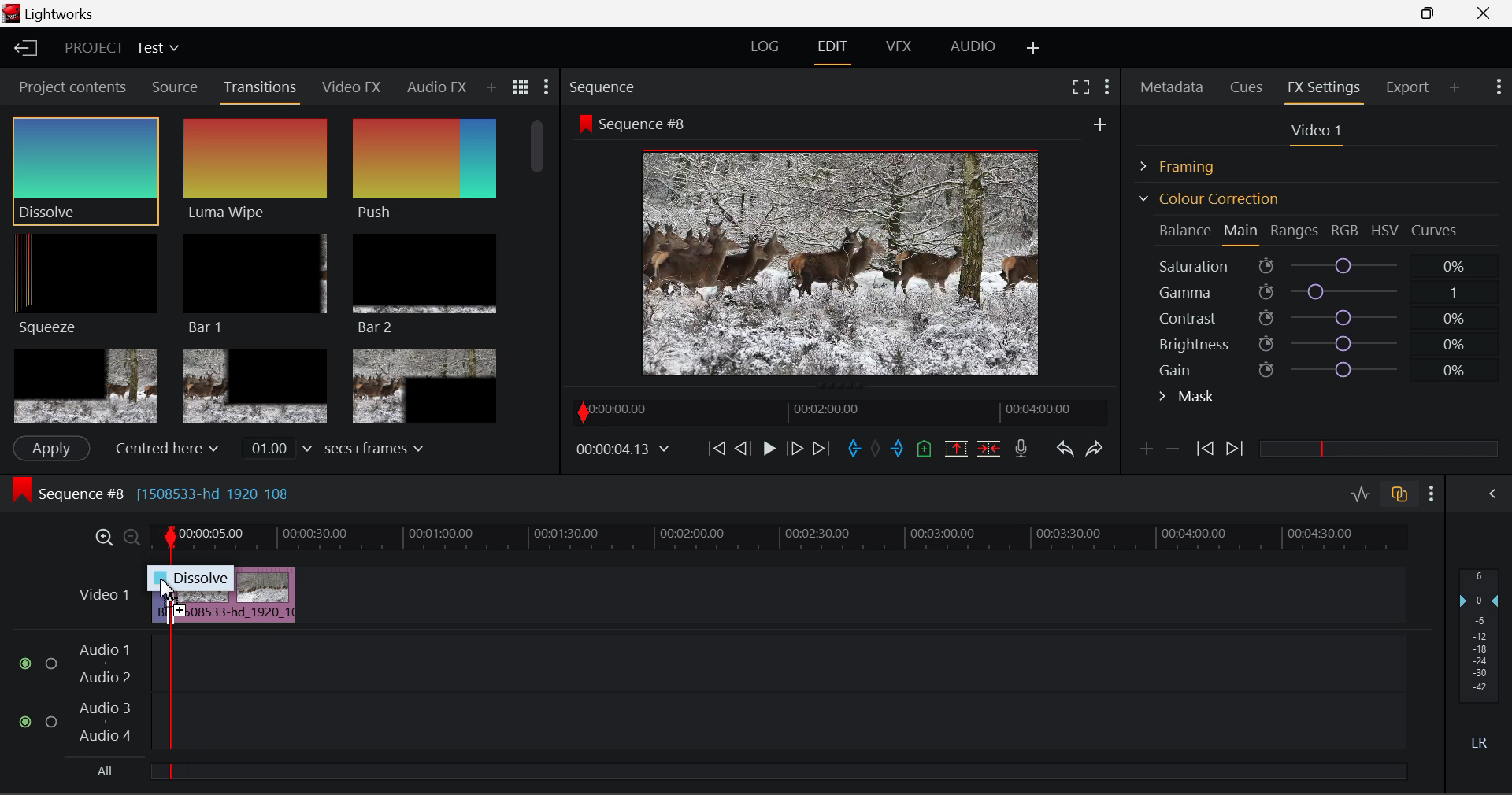  I want to click on Mark In, so click(855, 449).